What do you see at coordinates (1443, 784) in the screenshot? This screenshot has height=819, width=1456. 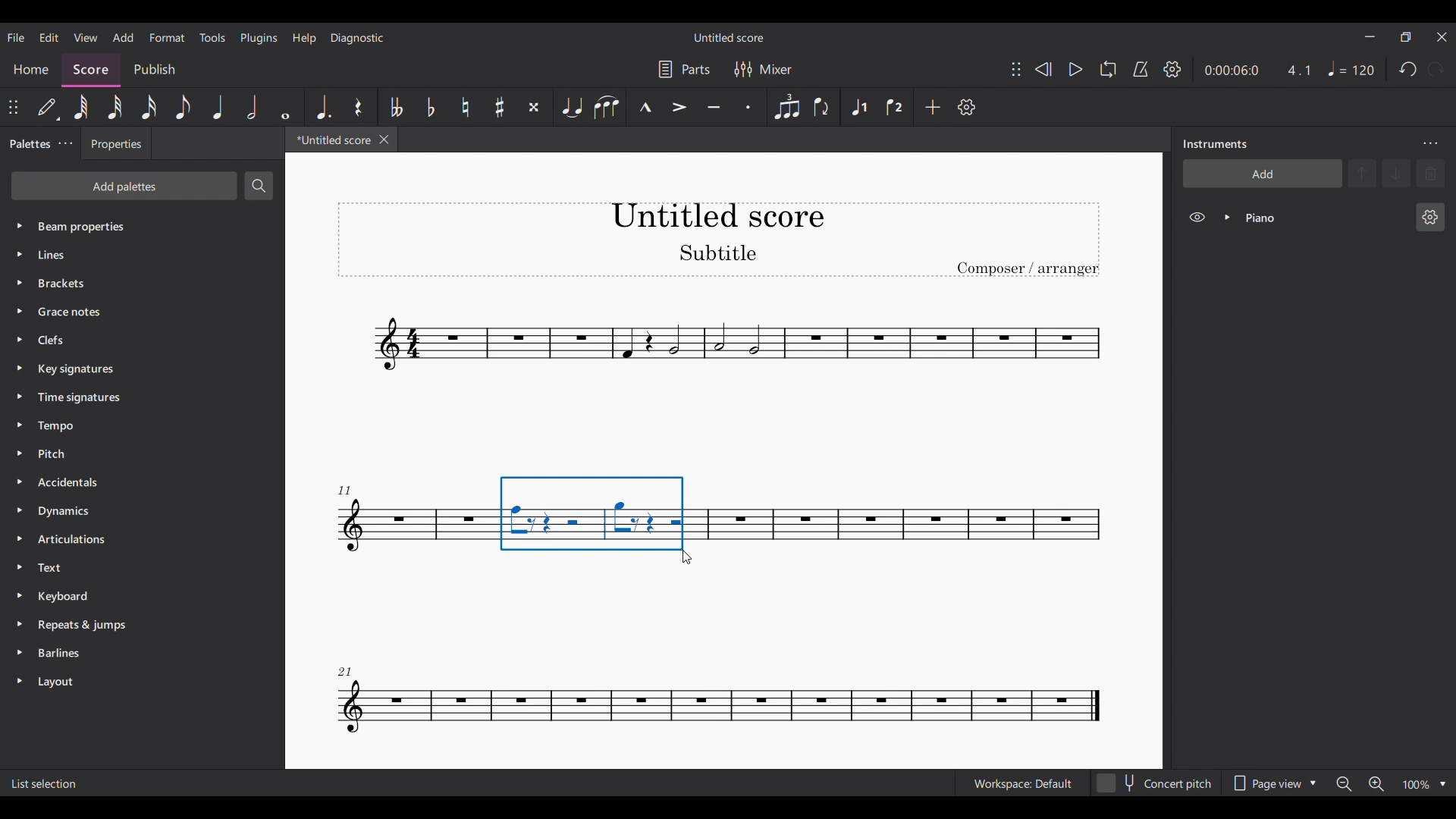 I see `Zoom options` at bounding box center [1443, 784].